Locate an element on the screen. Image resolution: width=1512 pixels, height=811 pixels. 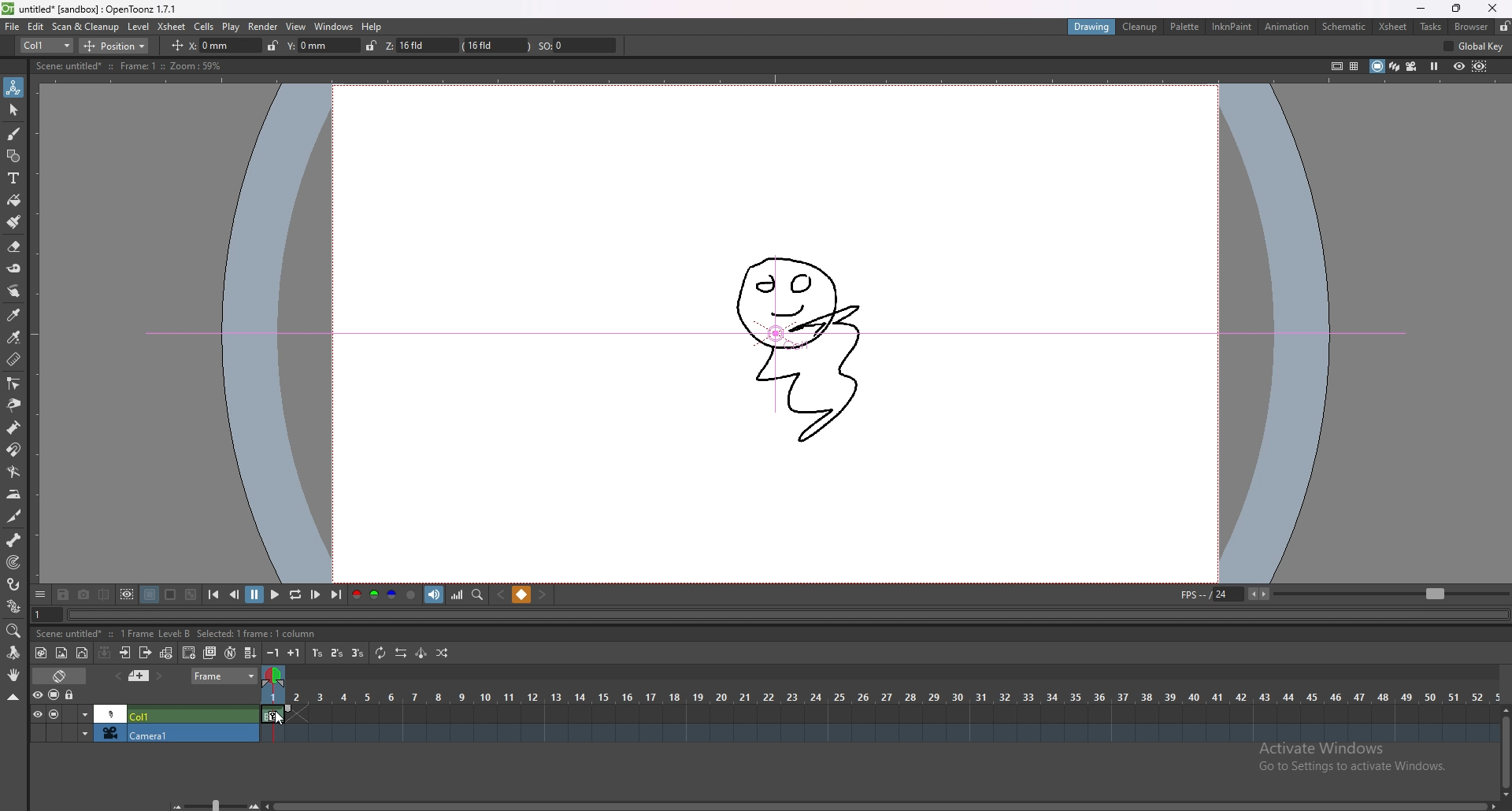
keyframe is located at coordinates (275, 715).